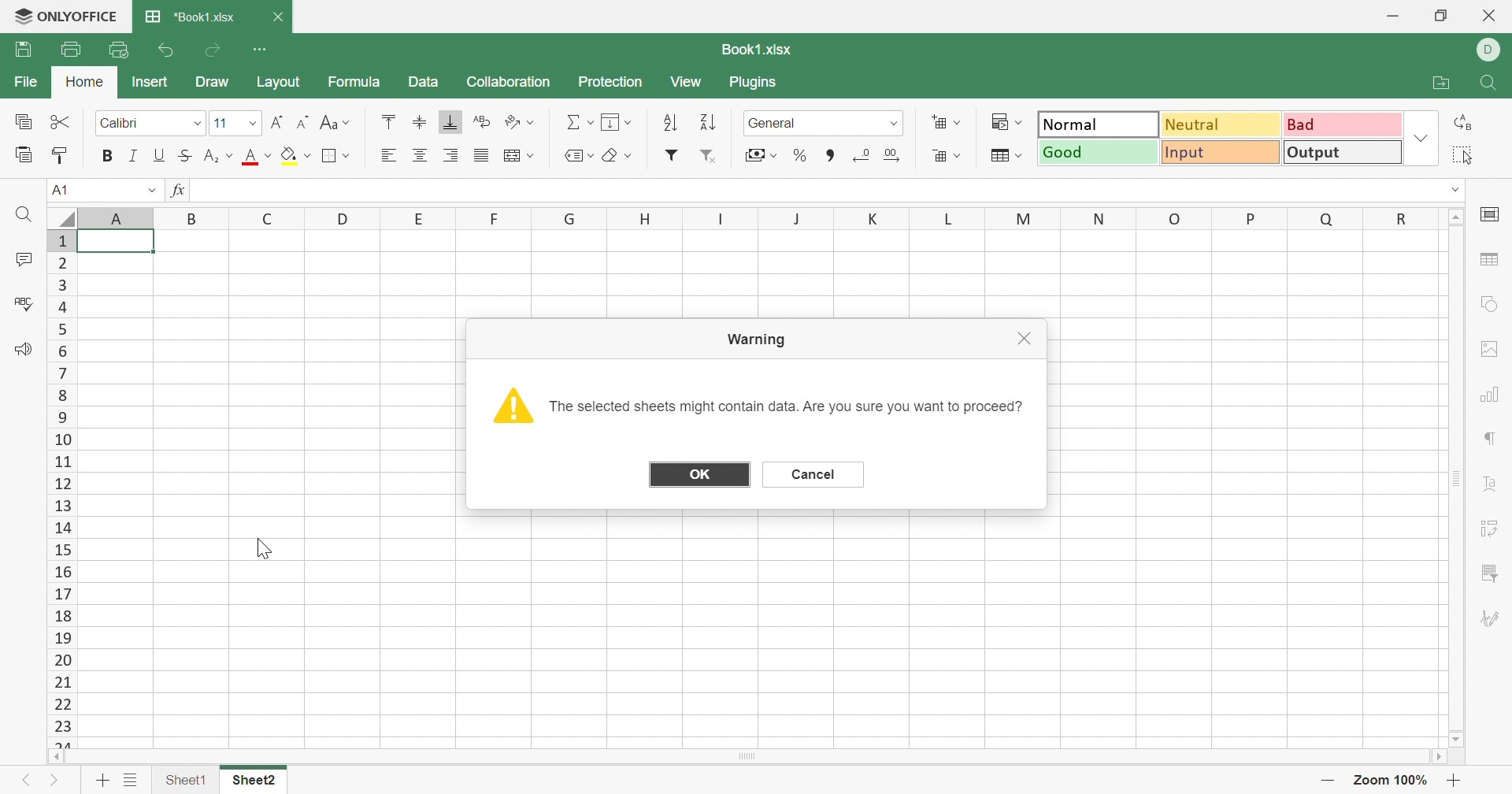 This screenshot has width=1512, height=794. Describe the element at coordinates (775, 155) in the screenshot. I see `Drop Down` at that location.